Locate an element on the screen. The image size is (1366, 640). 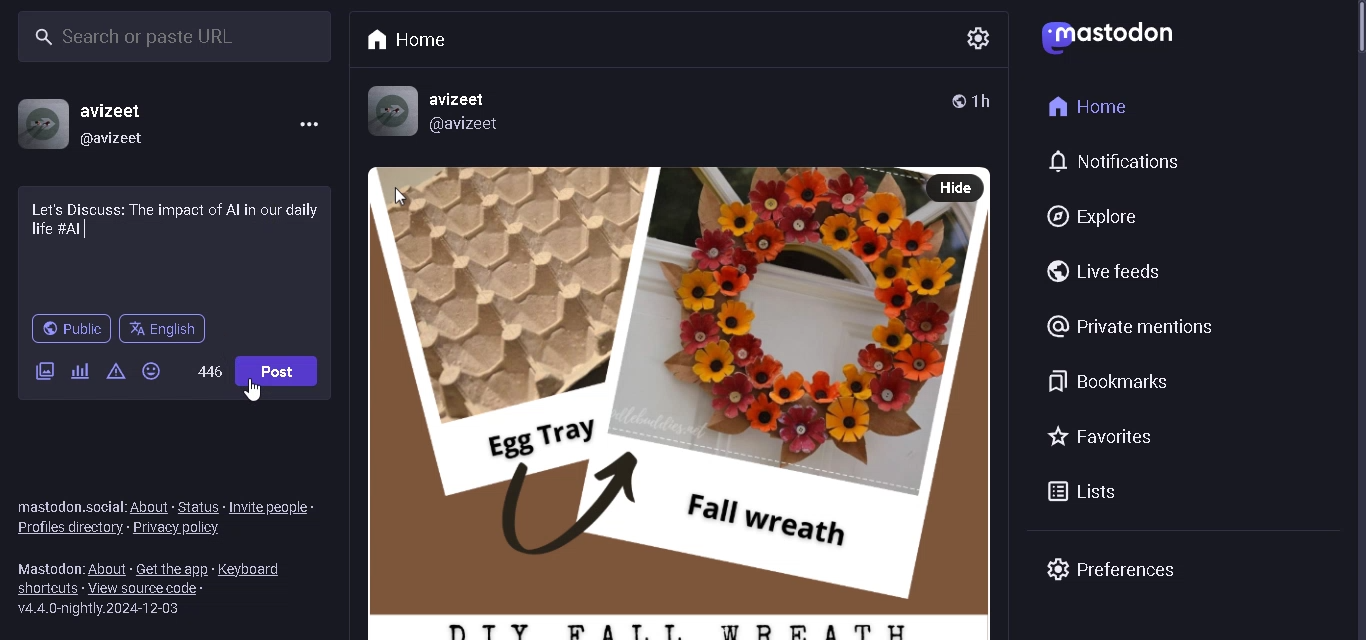
PUBLIC POST is located at coordinates (950, 103).